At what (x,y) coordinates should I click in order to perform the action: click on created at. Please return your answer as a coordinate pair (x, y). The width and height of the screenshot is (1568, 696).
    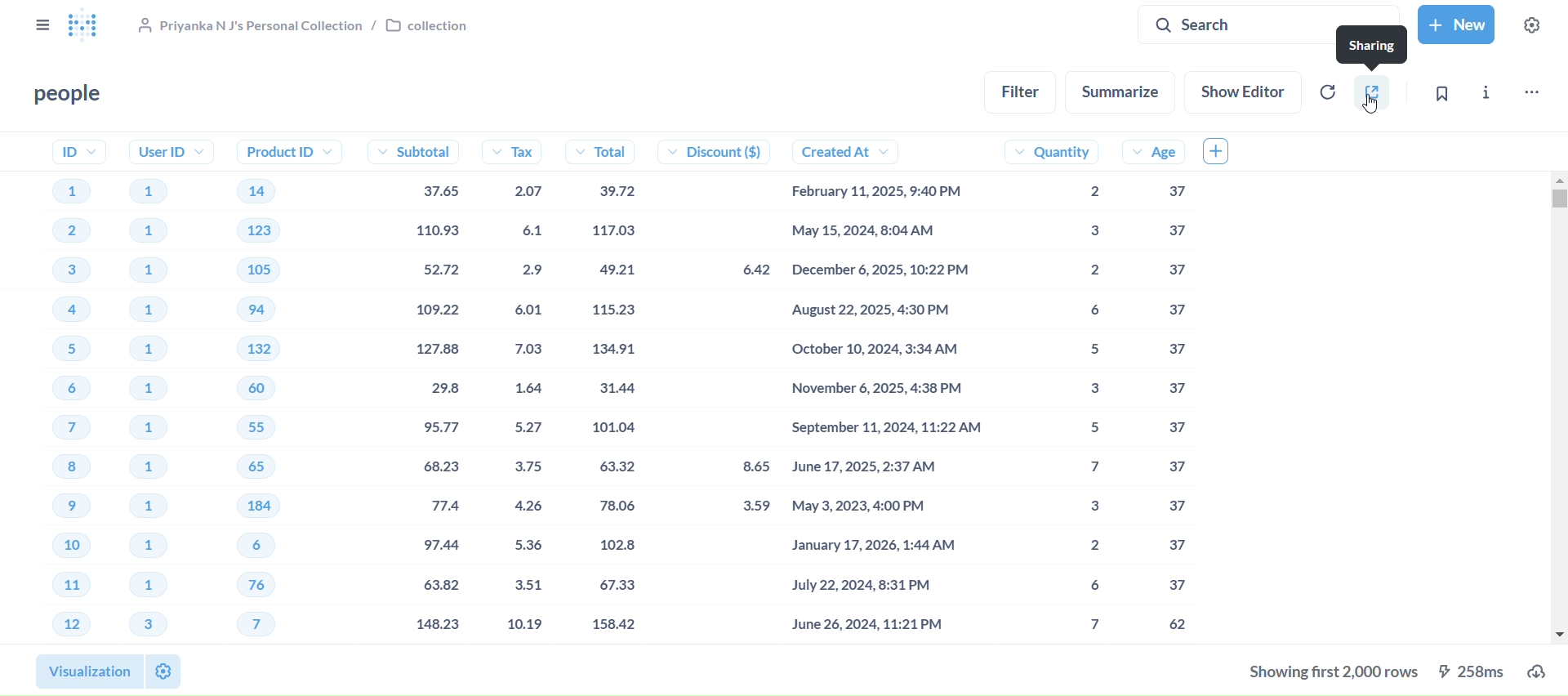
    Looking at the image, I should click on (889, 388).